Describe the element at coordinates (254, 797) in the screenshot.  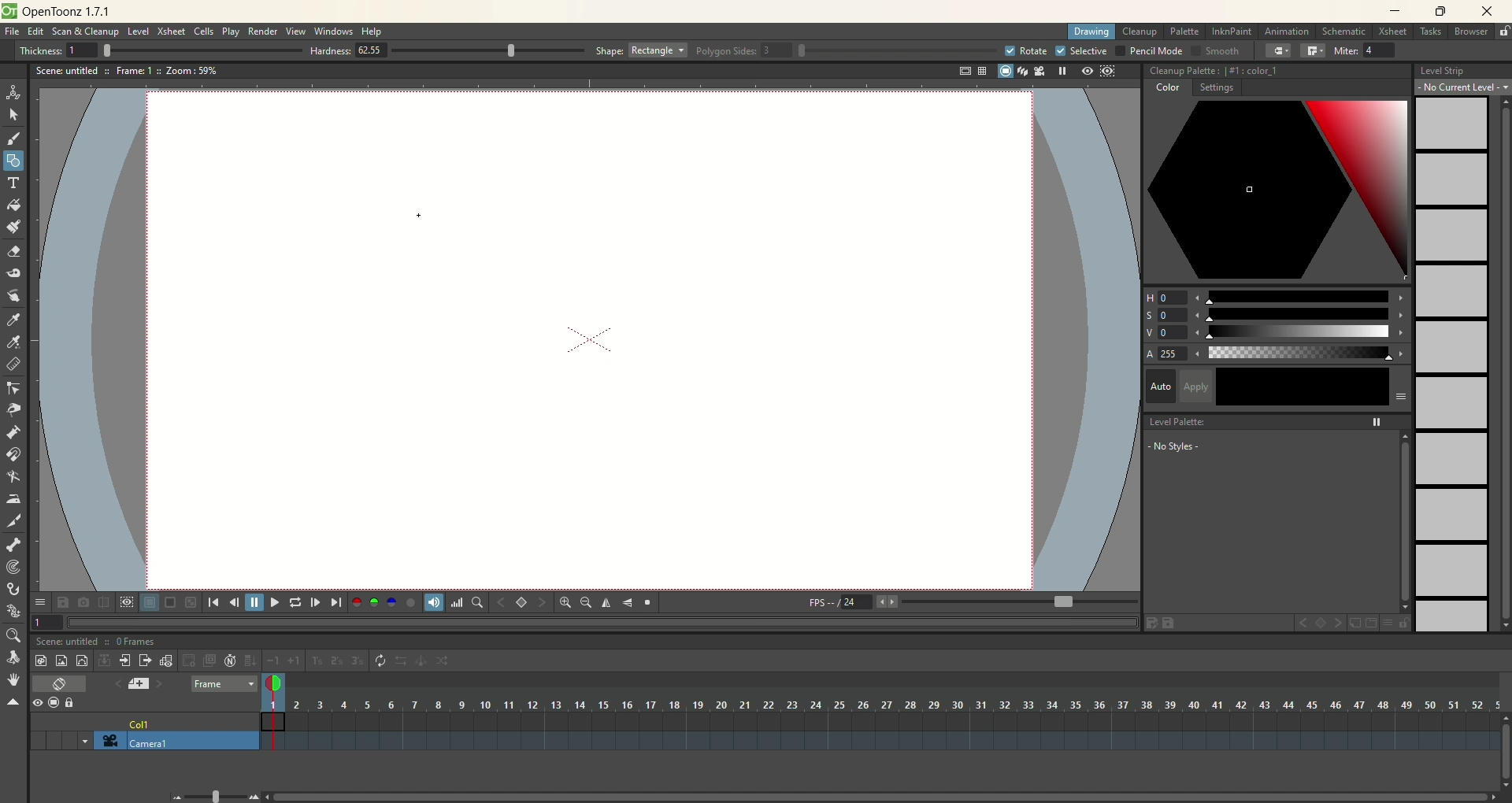
I see `zoom in` at that location.